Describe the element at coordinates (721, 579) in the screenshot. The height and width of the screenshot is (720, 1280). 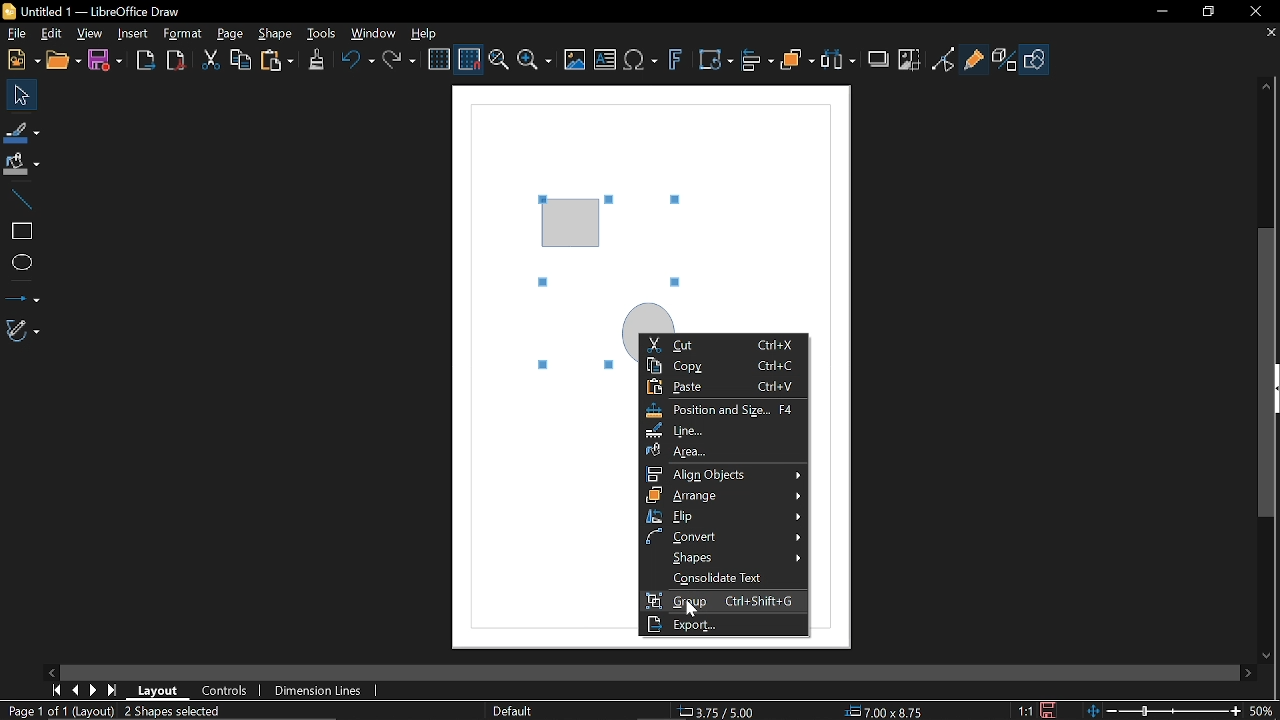
I see `Consolidate text` at that location.